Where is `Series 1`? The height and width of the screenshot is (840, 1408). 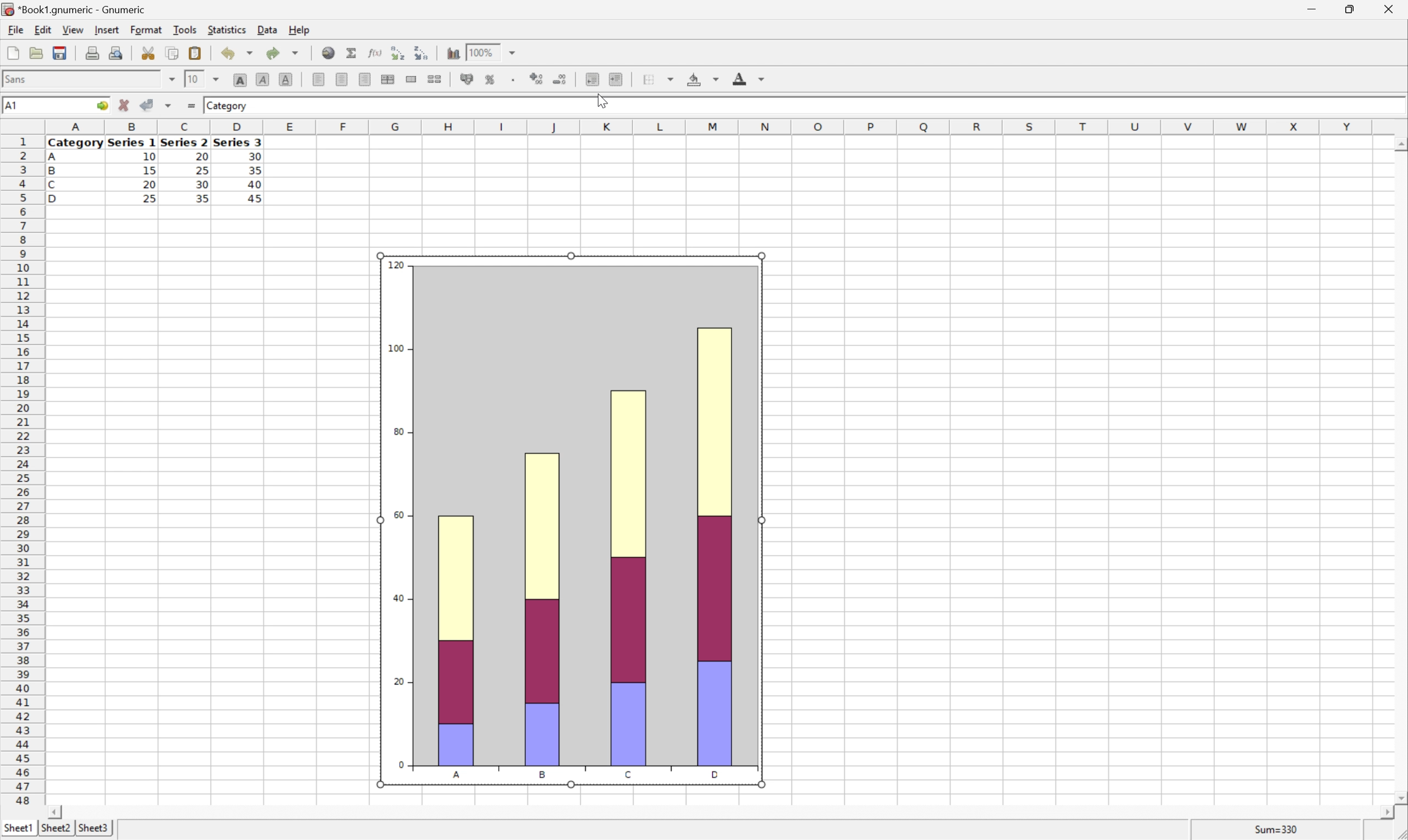 Series 1 is located at coordinates (132, 143).